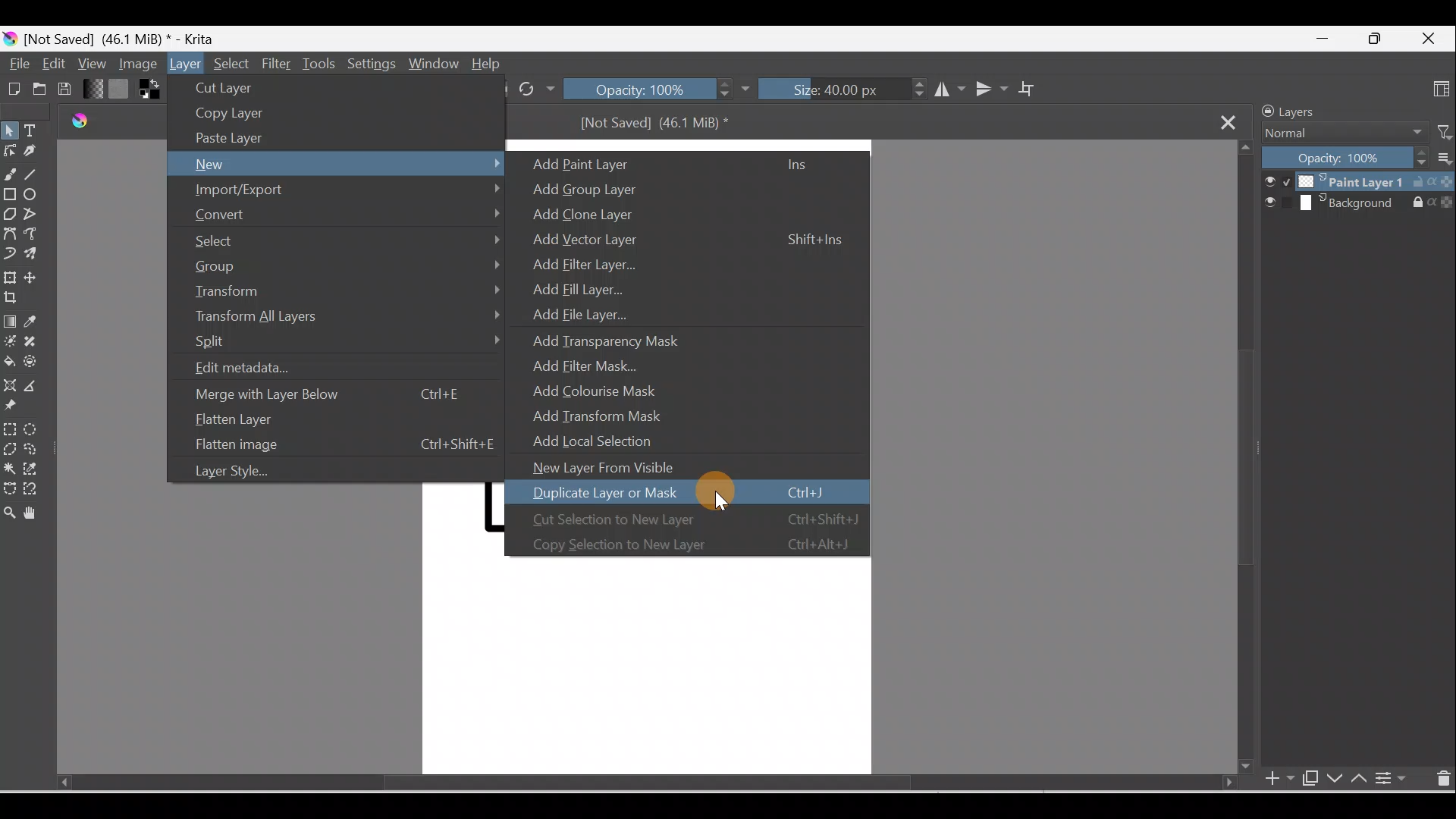  Describe the element at coordinates (11, 175) in the screenshot. I see `Freehand brush tool` at that location.